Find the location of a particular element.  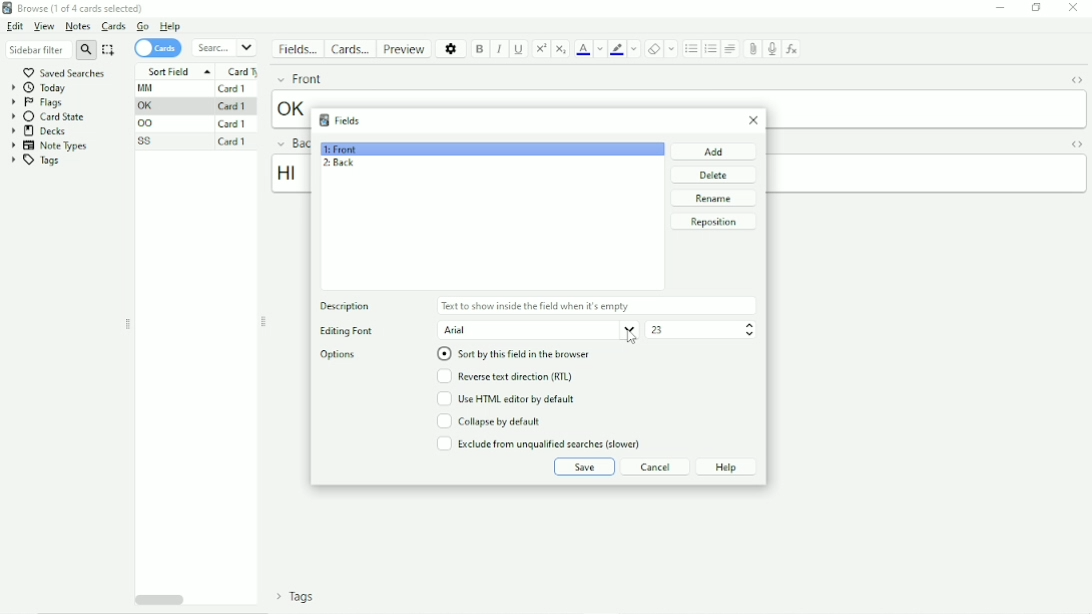

Decrement is located at coordinates (748, 335).